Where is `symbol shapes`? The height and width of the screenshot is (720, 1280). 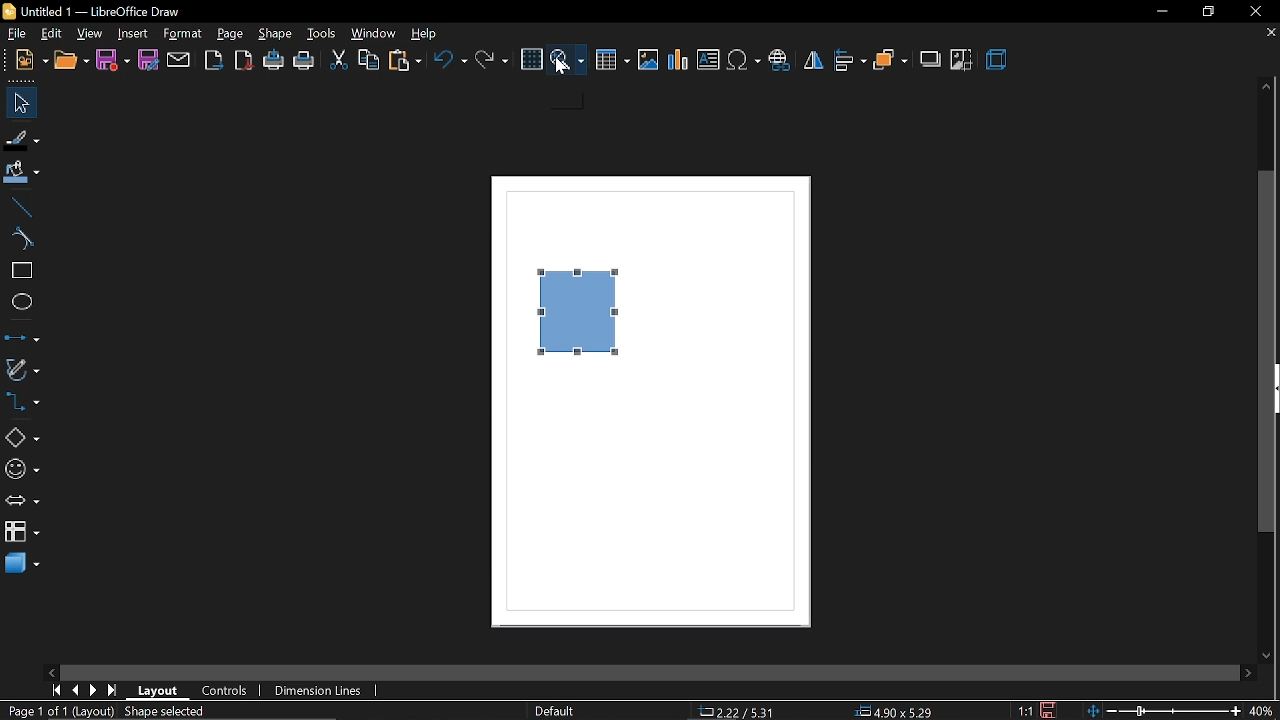 symbol shapes is located at coordinates (21, 471).